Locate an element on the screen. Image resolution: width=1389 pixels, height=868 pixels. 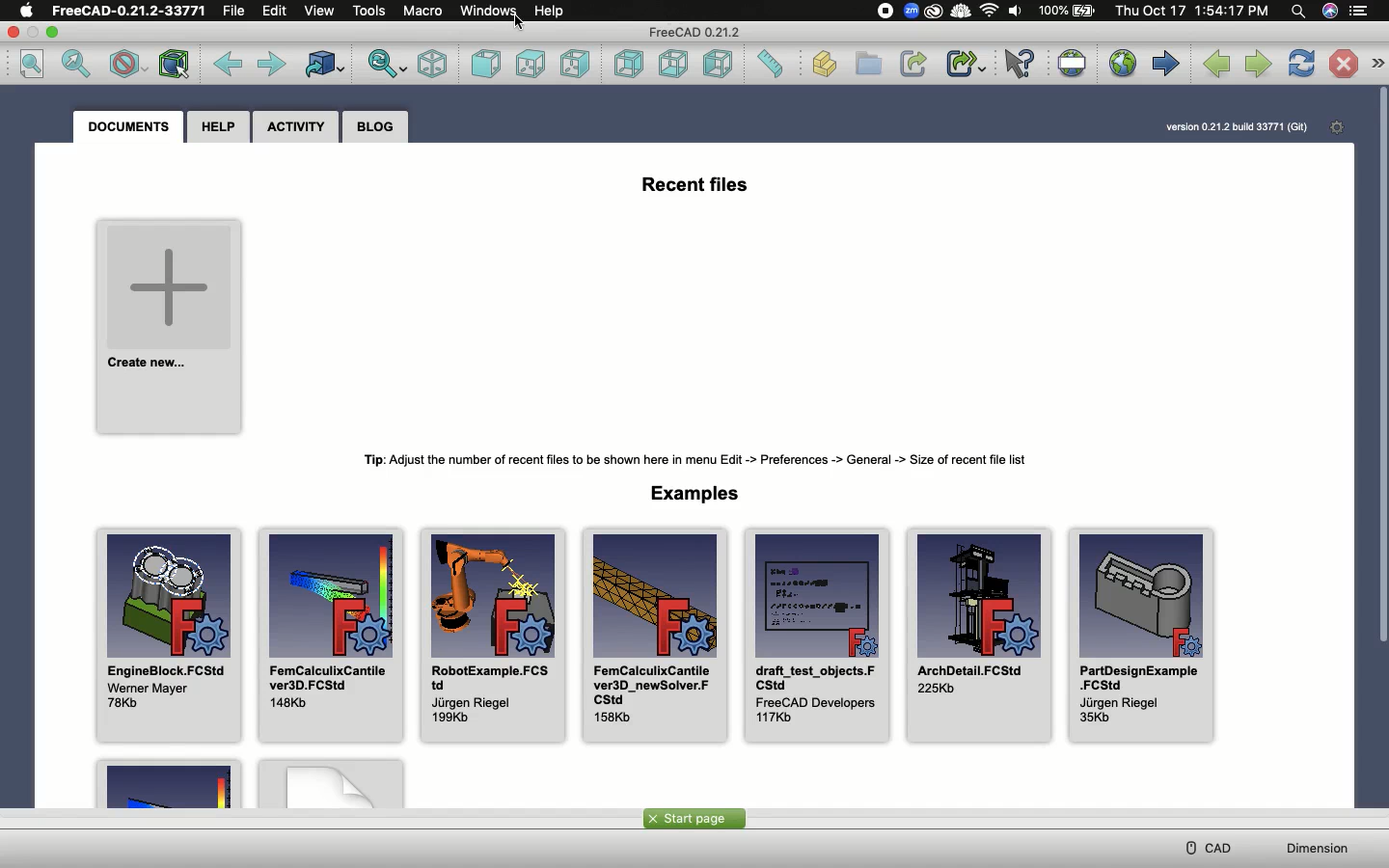
Fit selection is located at coordinates (79, 63).